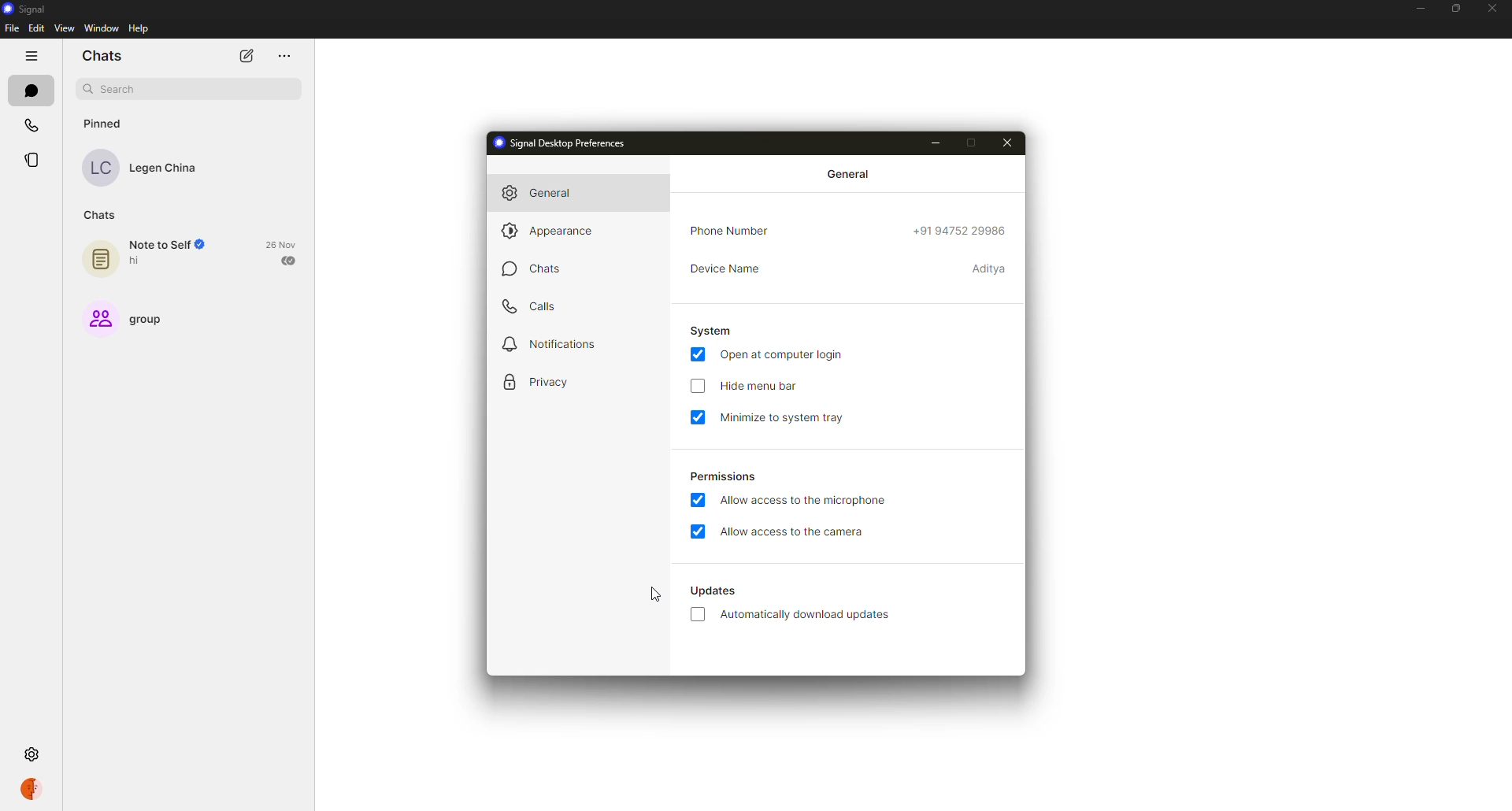  Describe the element at coordinates (850, 174) in the screenshot. I see `general` at that location.